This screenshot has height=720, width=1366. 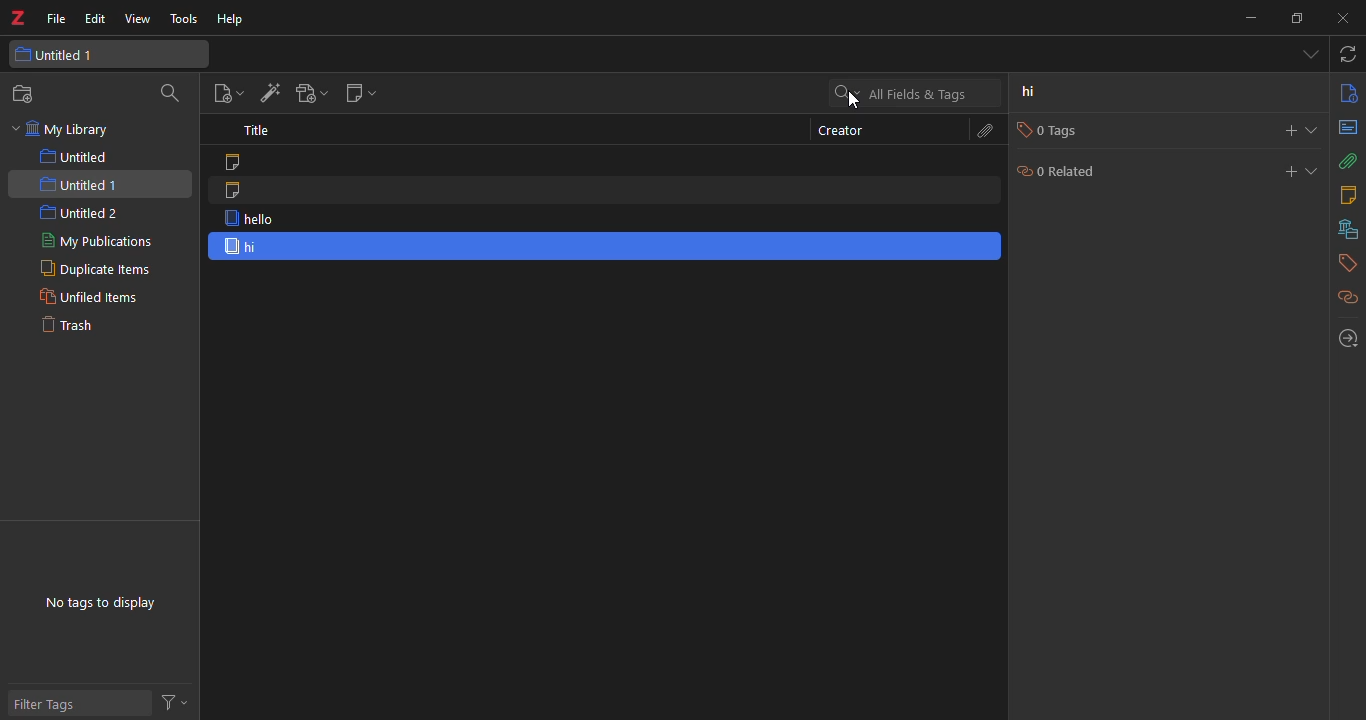 What do you see at coordinates (1349, 55) in the screenshot?
I see `sync` at bounding box center [1349, 55].